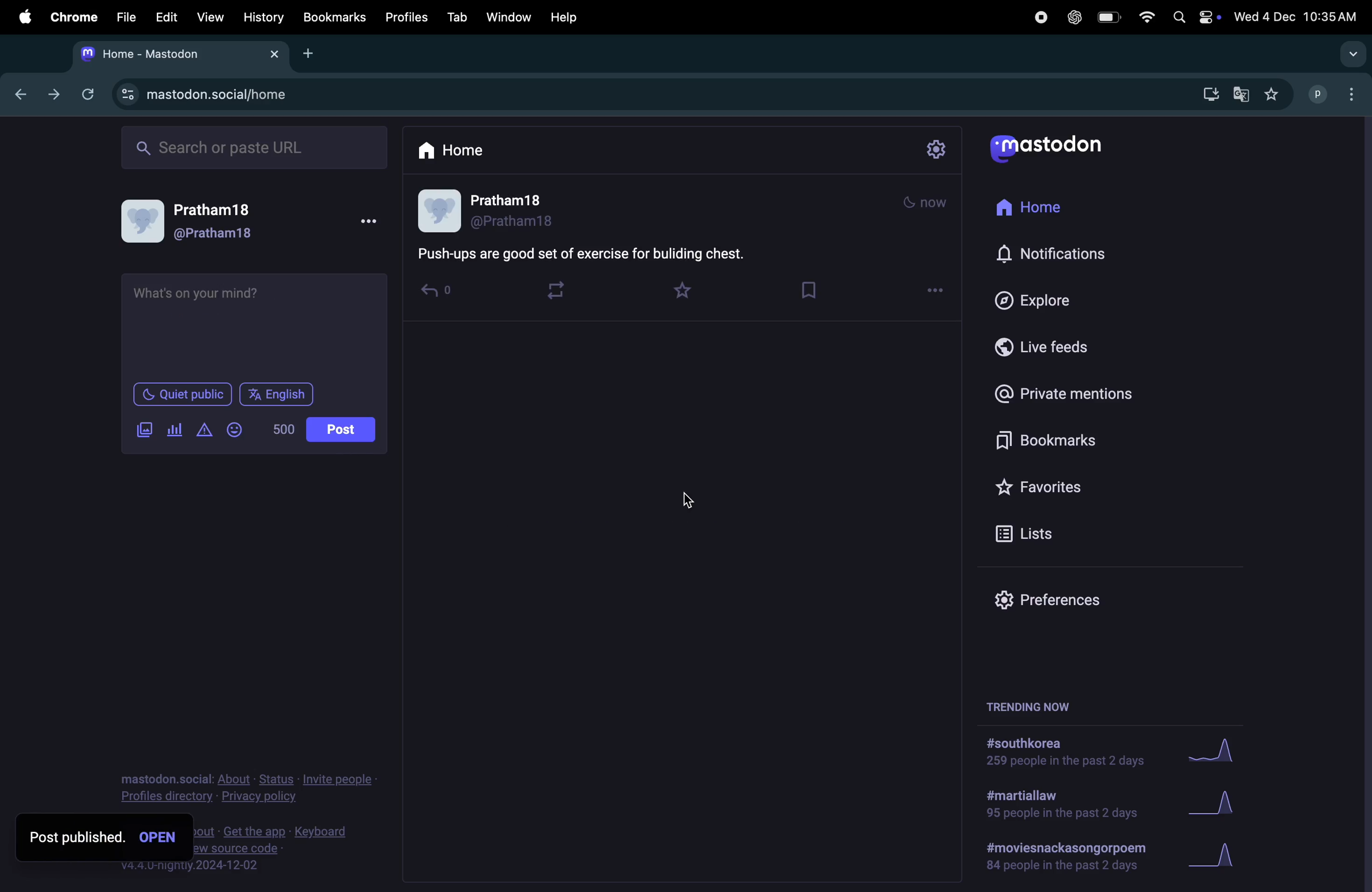 This screenshot has height=892, width=1372. I want to click on post, so click(342, 430).